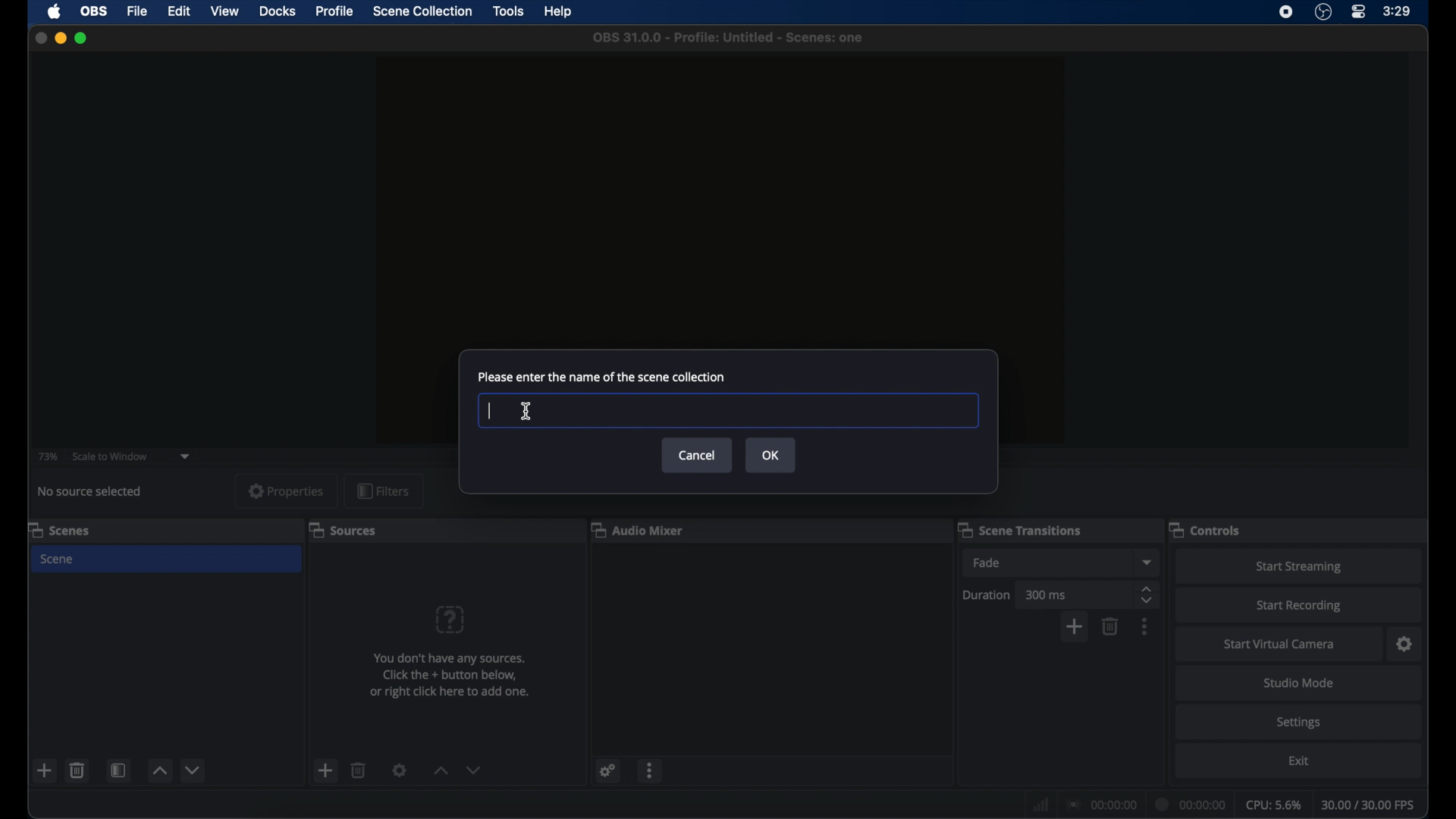  Describe the element at coordinates (1039, 802) in the screenshot. I see `network` at that location.